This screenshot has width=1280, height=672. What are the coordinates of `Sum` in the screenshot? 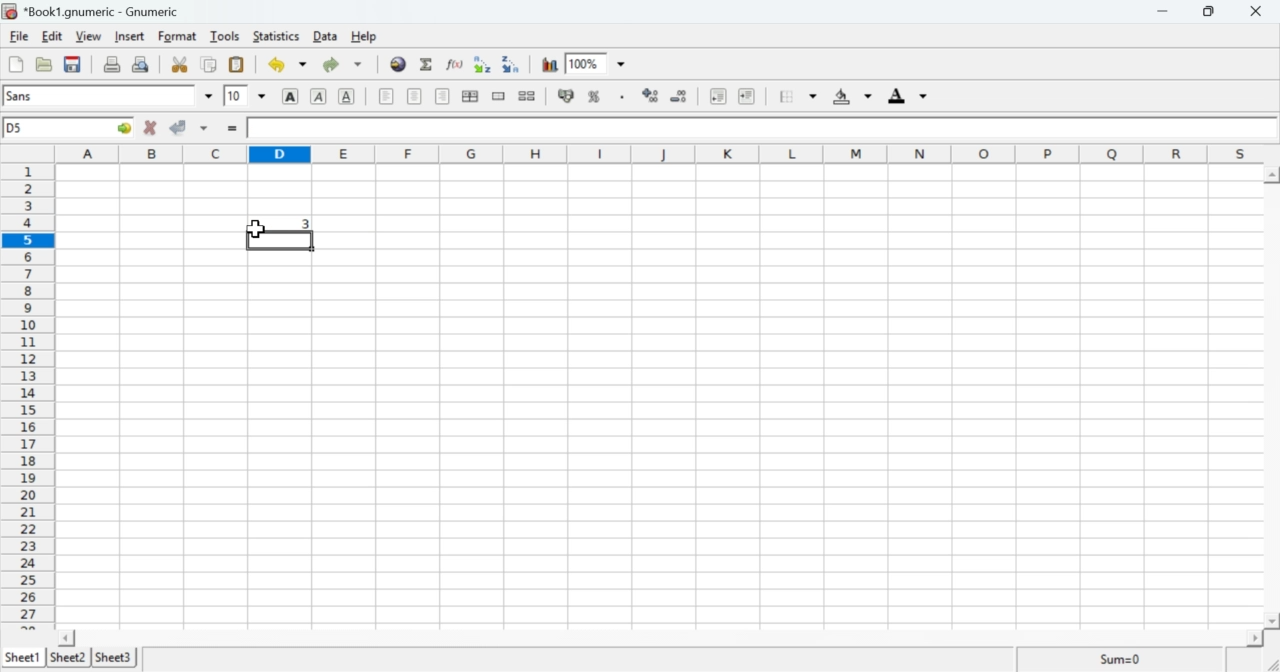 It's located at (1118, 659).